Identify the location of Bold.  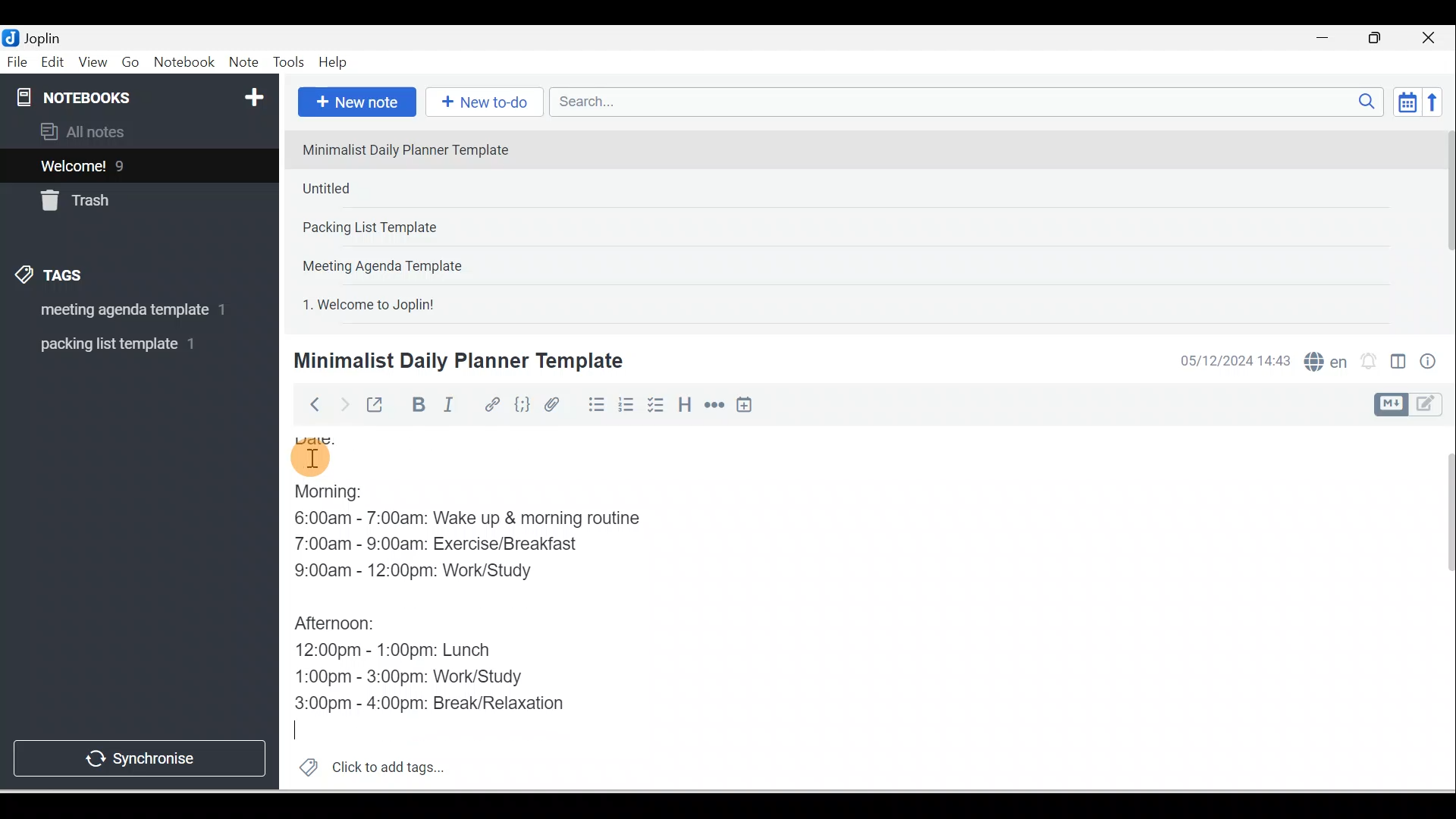
(416, 405).